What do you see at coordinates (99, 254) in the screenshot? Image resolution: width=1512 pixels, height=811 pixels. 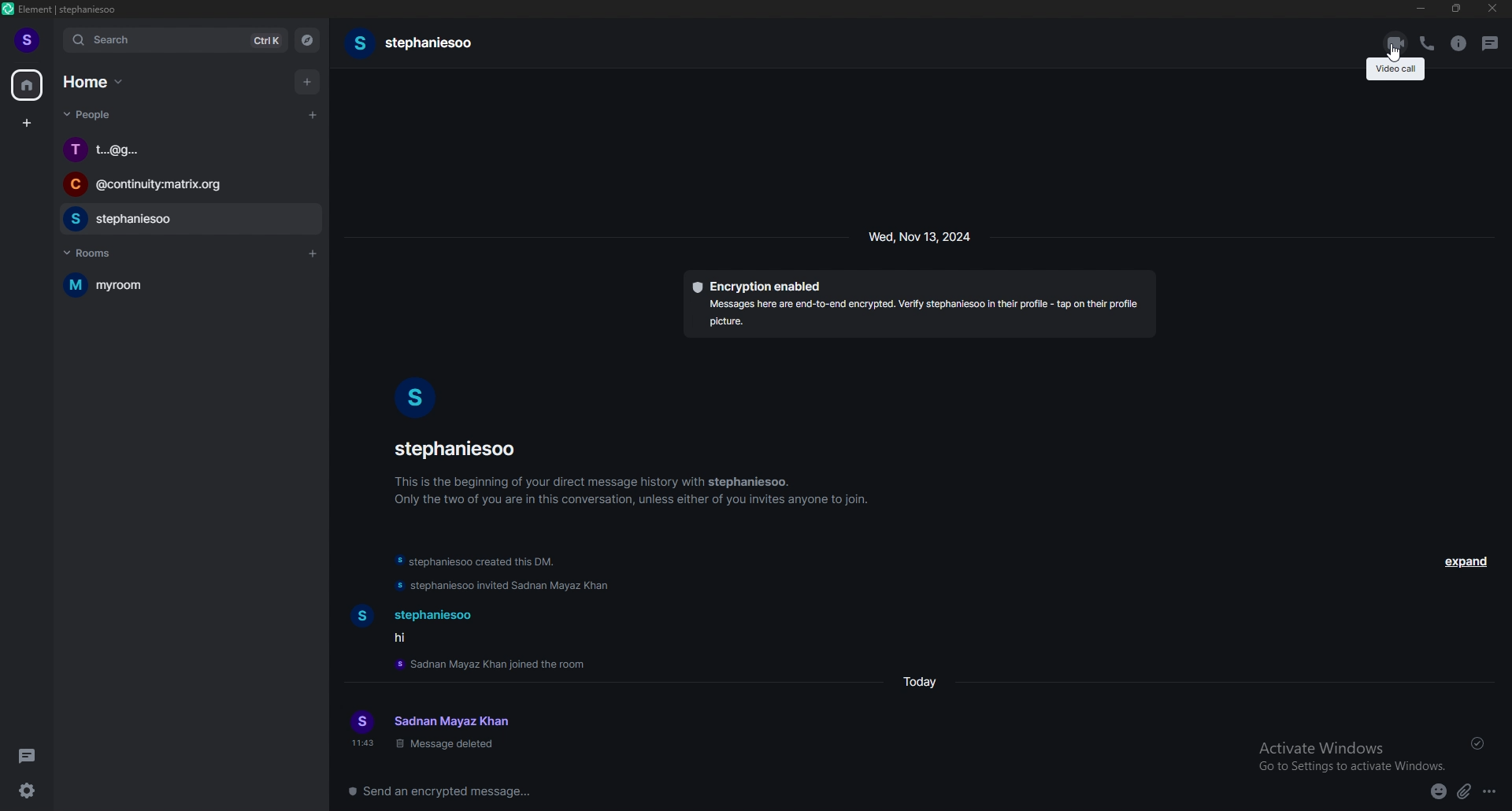 I see `rooms` at bounding box center [99, 254].